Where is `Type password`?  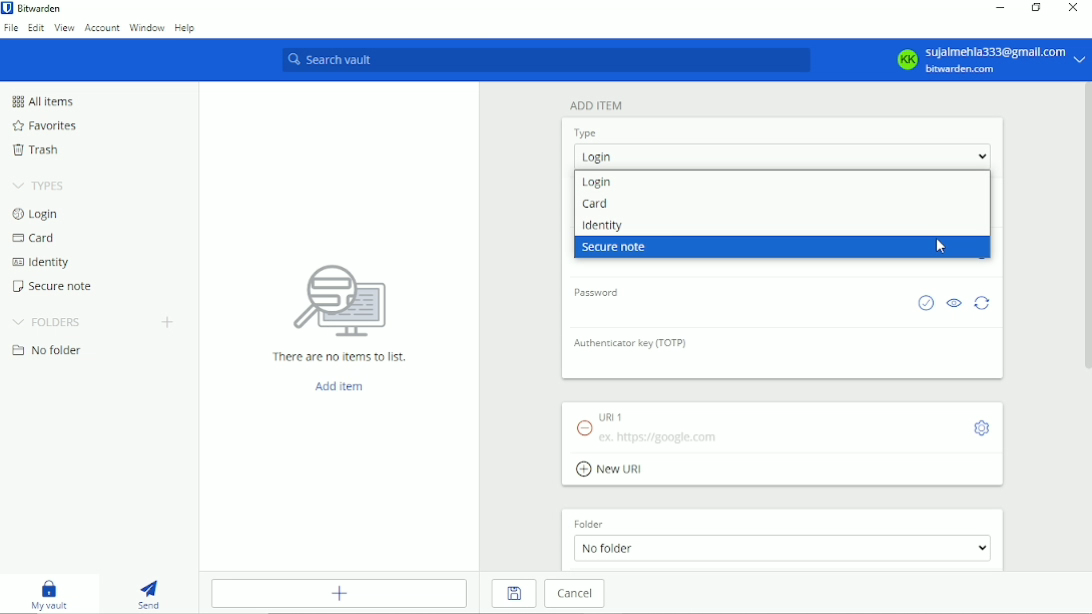 Type password is located at coordinates (633, 314).